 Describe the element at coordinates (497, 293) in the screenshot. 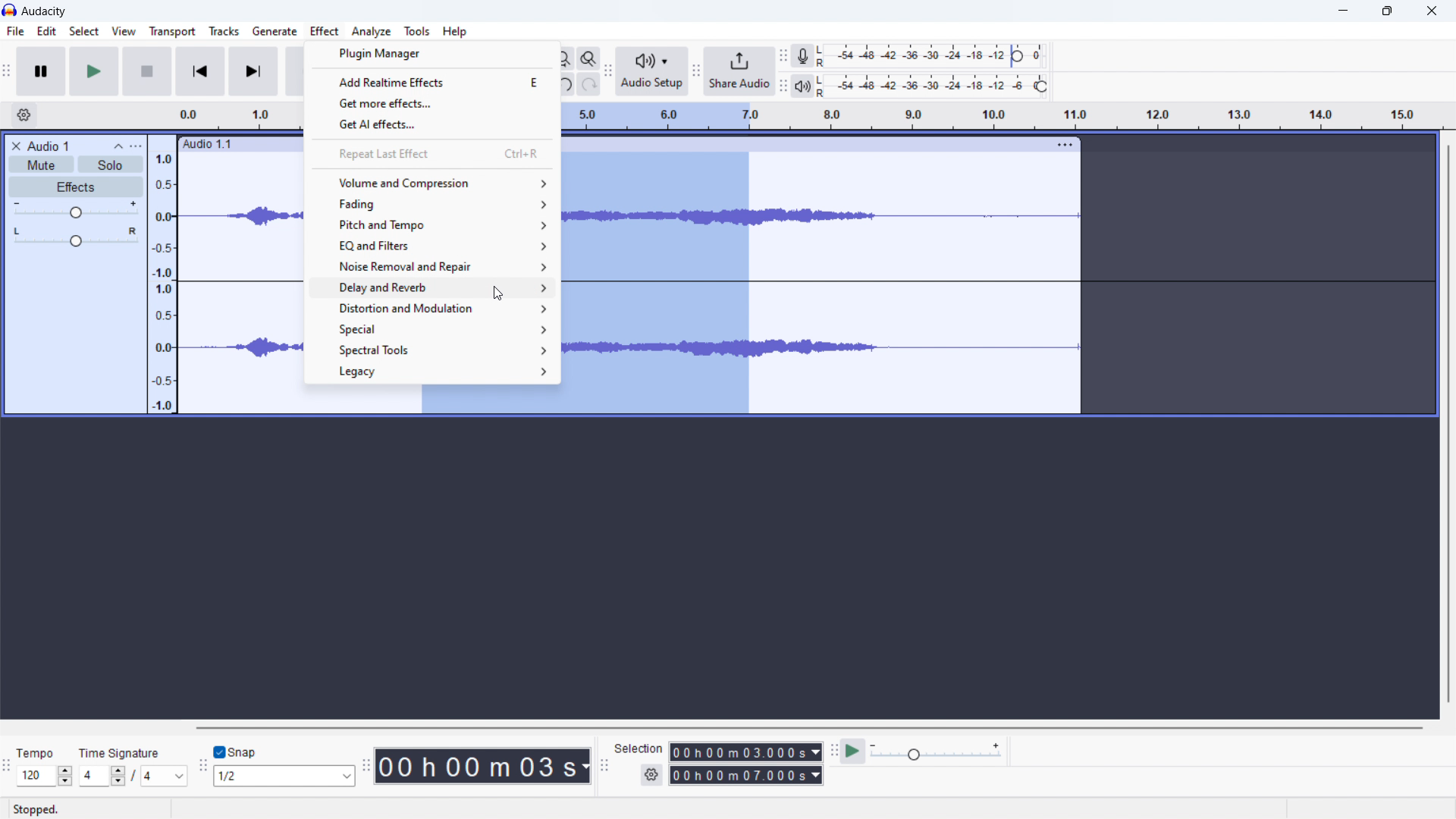

I see `cursor` at that location.